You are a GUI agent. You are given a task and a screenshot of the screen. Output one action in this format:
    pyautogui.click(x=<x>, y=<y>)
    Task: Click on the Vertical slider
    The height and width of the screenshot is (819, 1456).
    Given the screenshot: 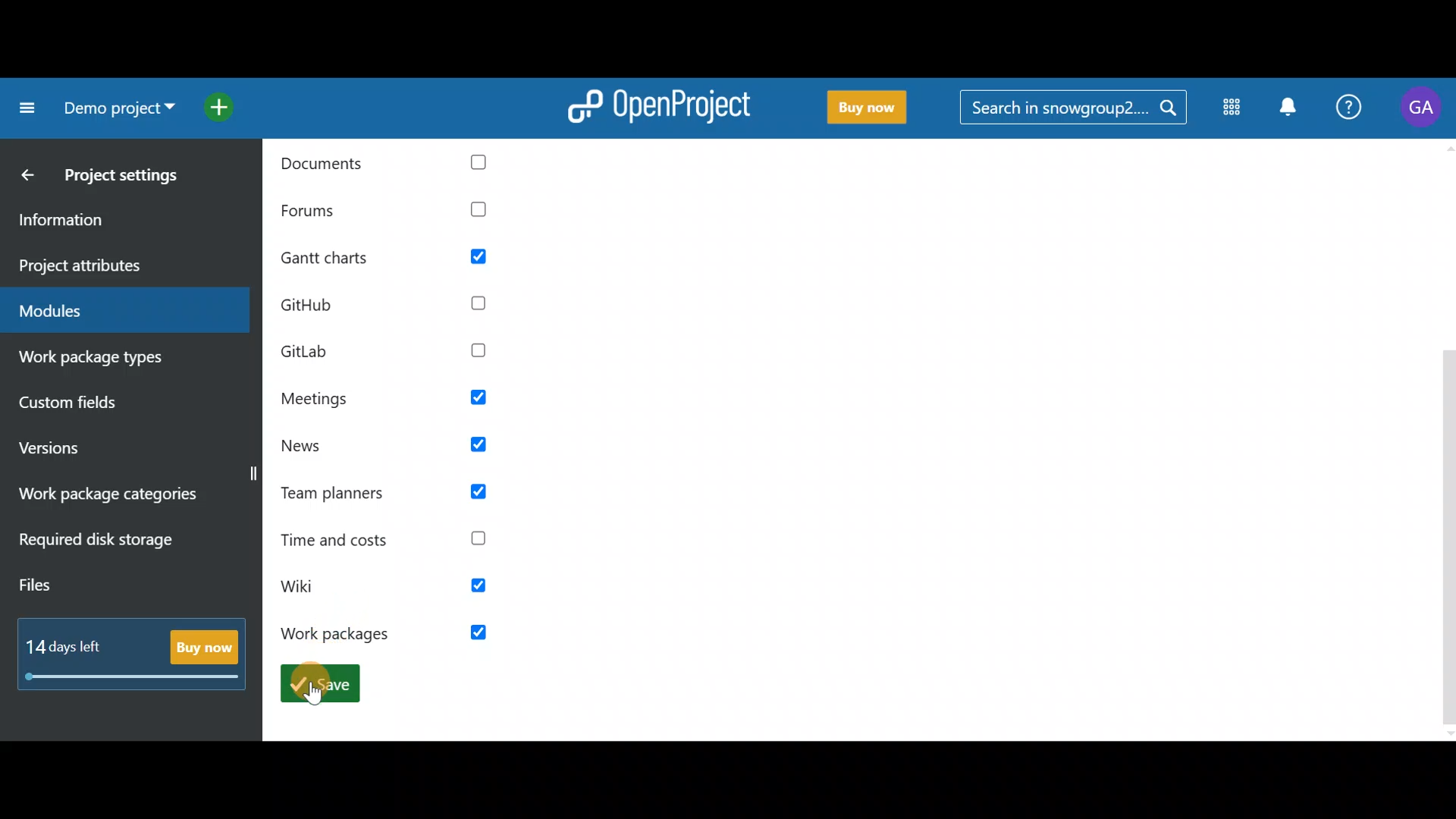 What is the action you would take?
    pyautogui.click(x=1447, y=440)
    